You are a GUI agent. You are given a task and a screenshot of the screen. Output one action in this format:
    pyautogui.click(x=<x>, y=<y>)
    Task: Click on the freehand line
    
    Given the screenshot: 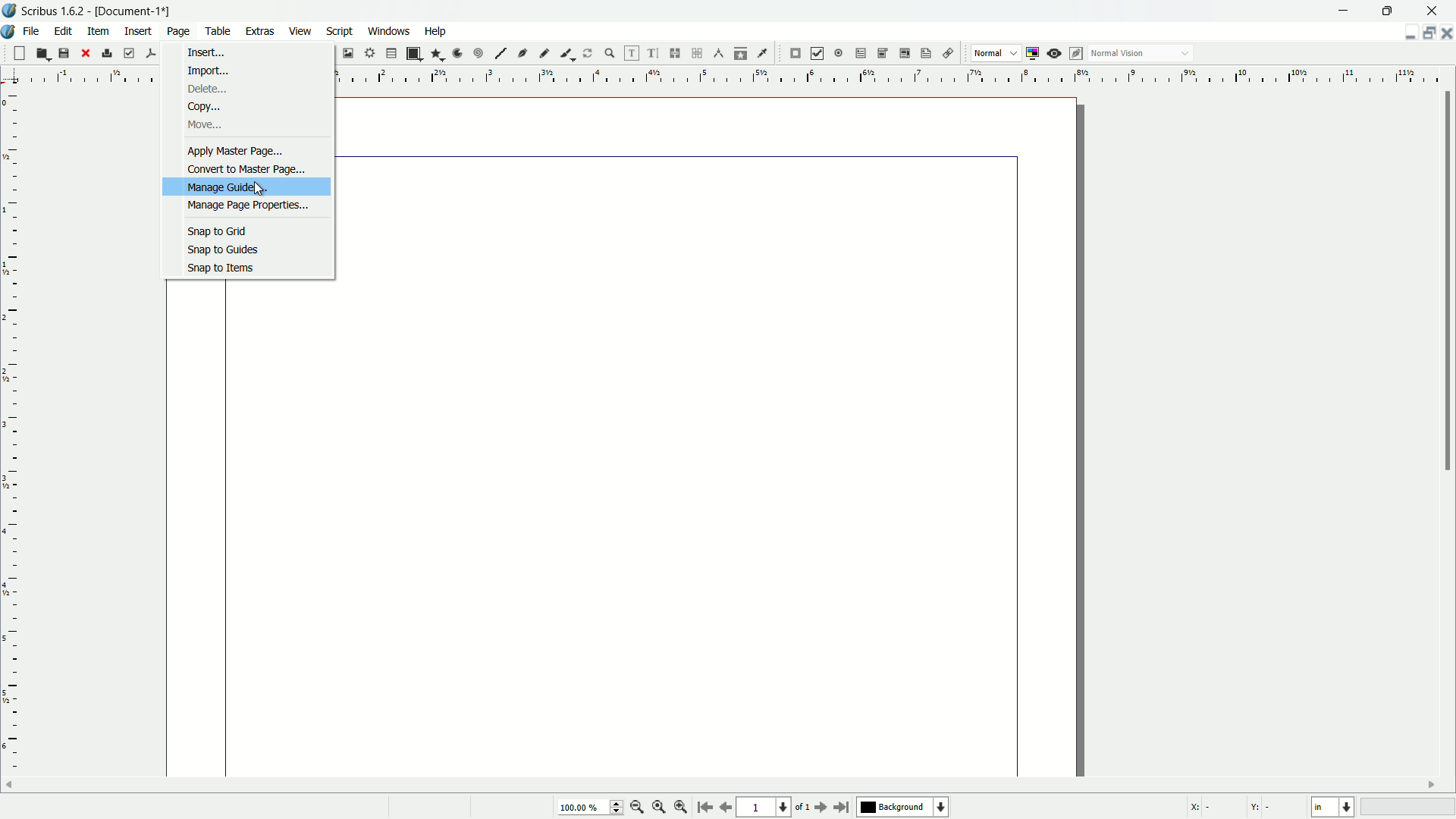 What is the action you would take?
    pyautogui.click(x=545, y=53)
    